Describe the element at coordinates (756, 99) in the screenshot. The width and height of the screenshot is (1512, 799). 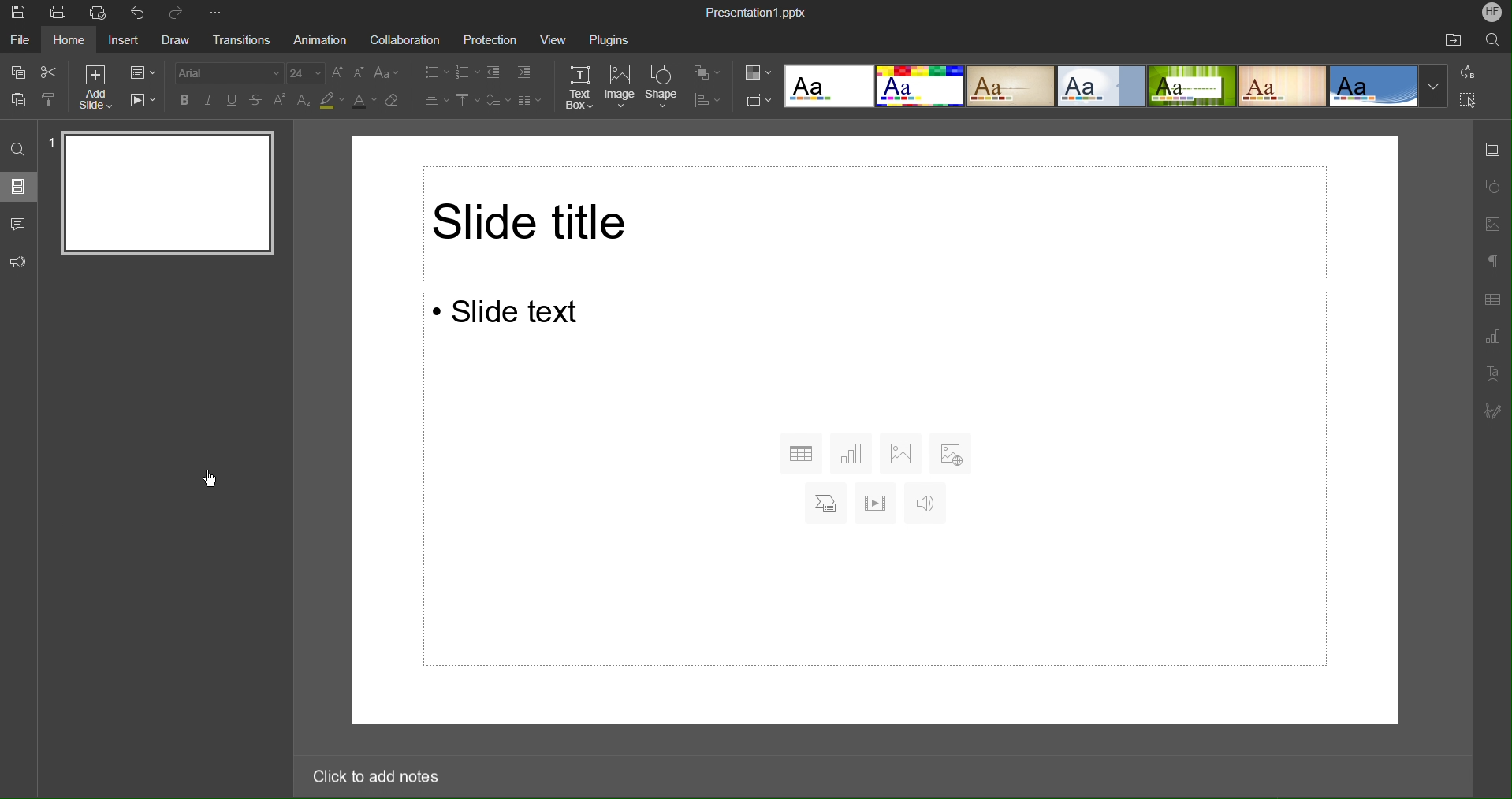
I see `Slide Settings` at that location.